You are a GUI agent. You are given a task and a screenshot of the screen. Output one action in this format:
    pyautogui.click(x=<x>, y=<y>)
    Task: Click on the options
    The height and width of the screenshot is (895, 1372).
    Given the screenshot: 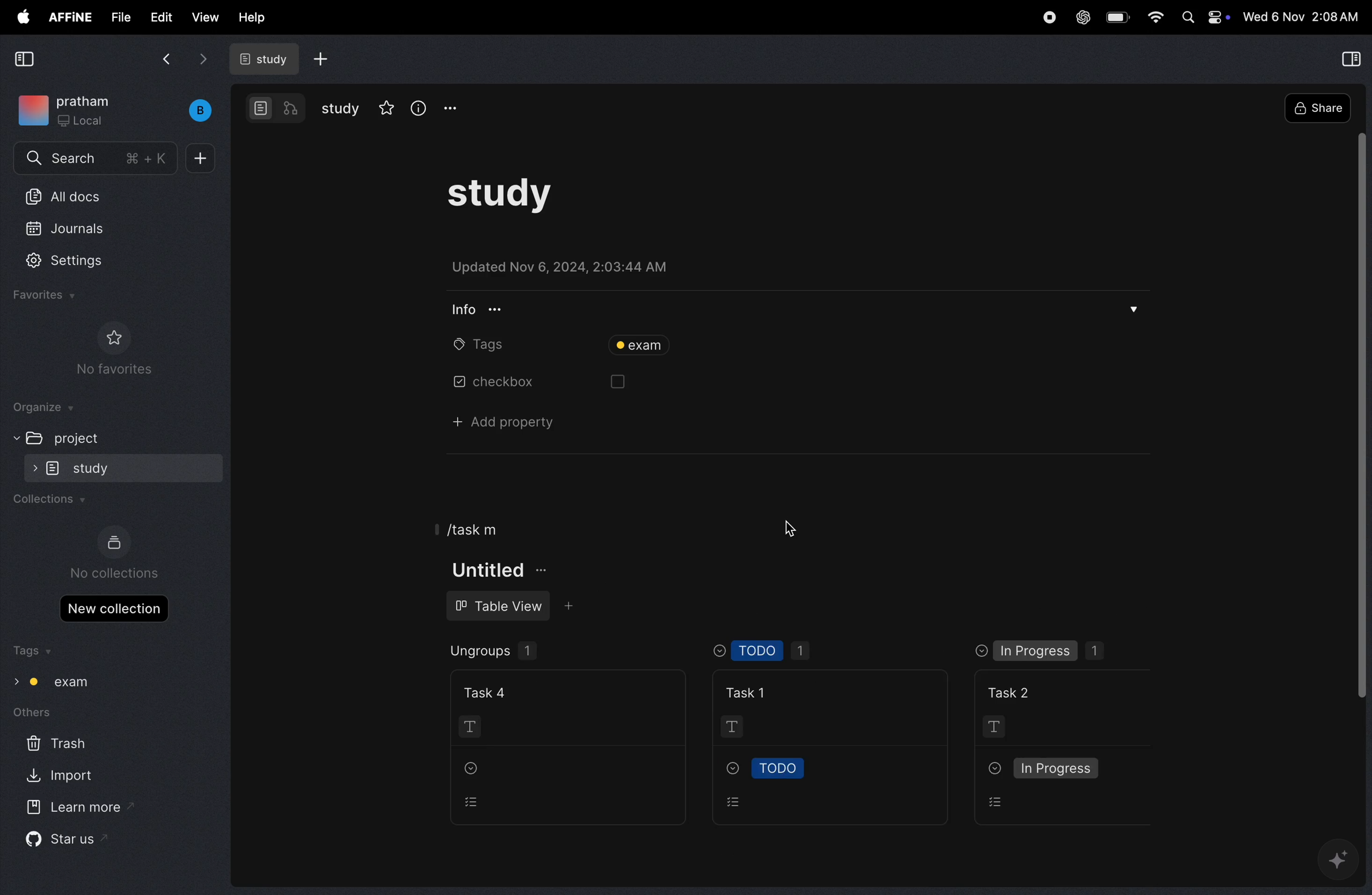 What is the action you would take?
    pyautogui.click(x=474, y=804)
    